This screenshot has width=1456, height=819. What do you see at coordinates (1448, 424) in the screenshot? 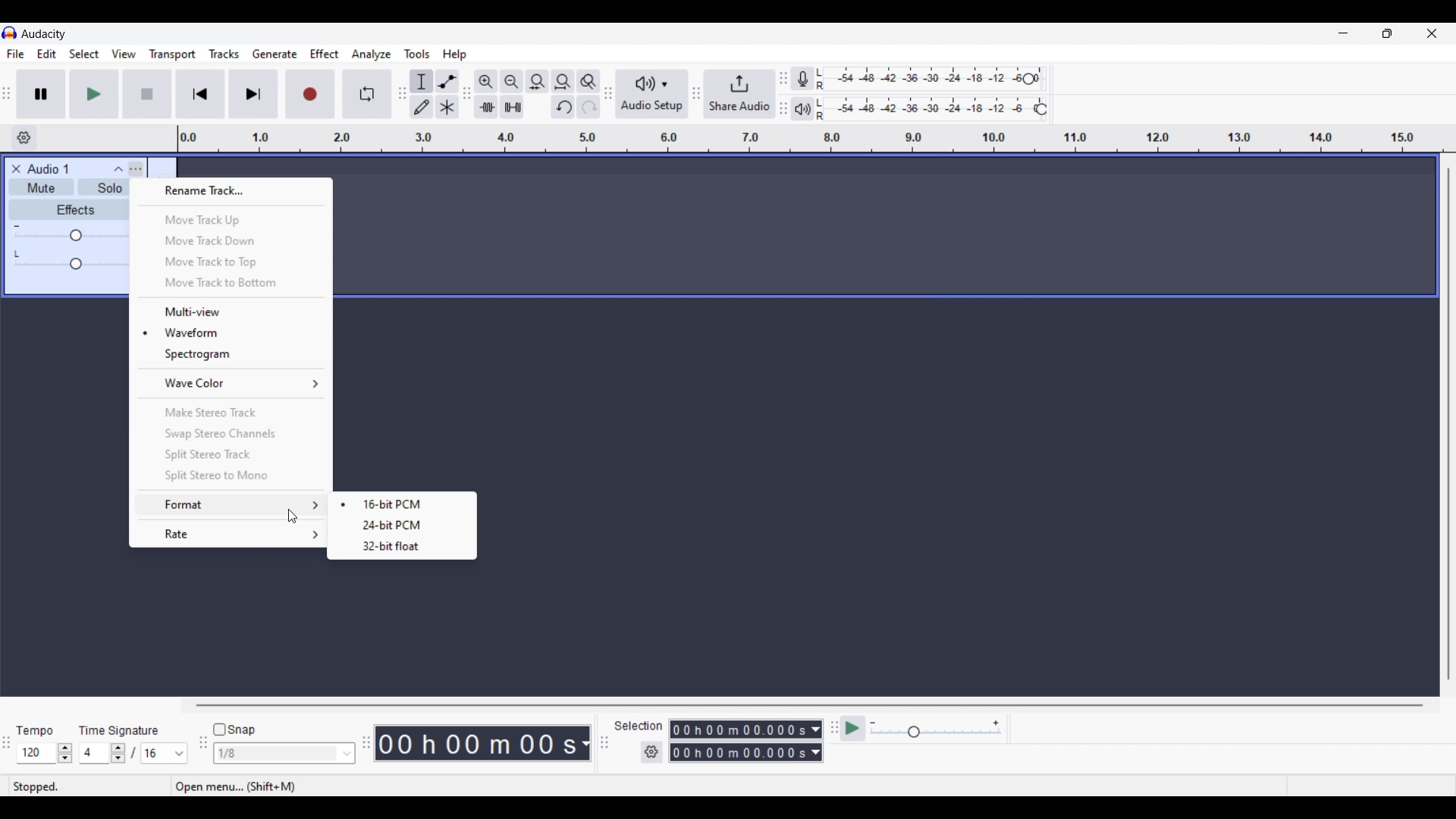
I see `Vertical slide bar` at bounding box center [1448, 424].